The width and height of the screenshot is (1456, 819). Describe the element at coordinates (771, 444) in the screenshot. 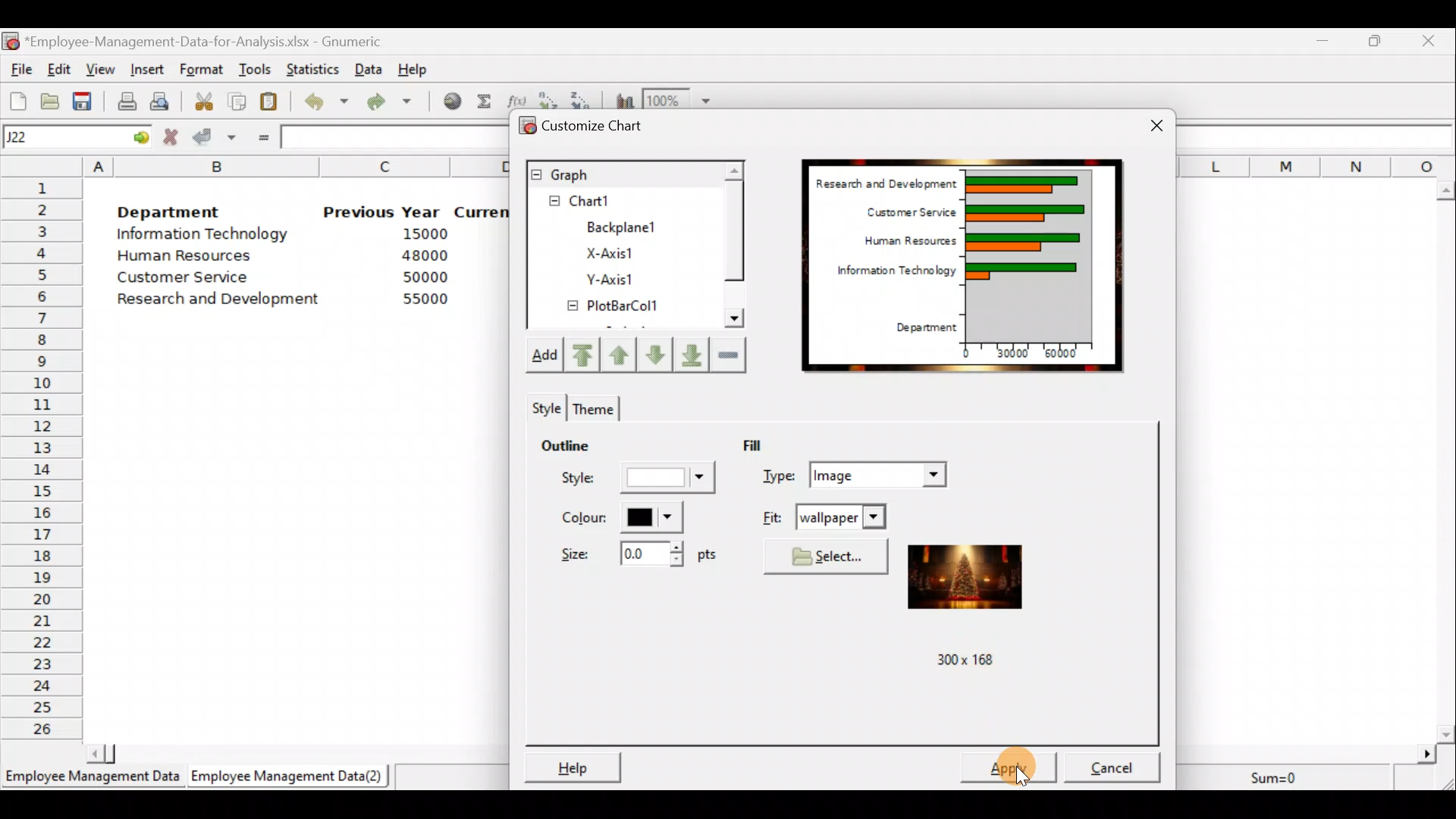

I see `Fill` at that location.